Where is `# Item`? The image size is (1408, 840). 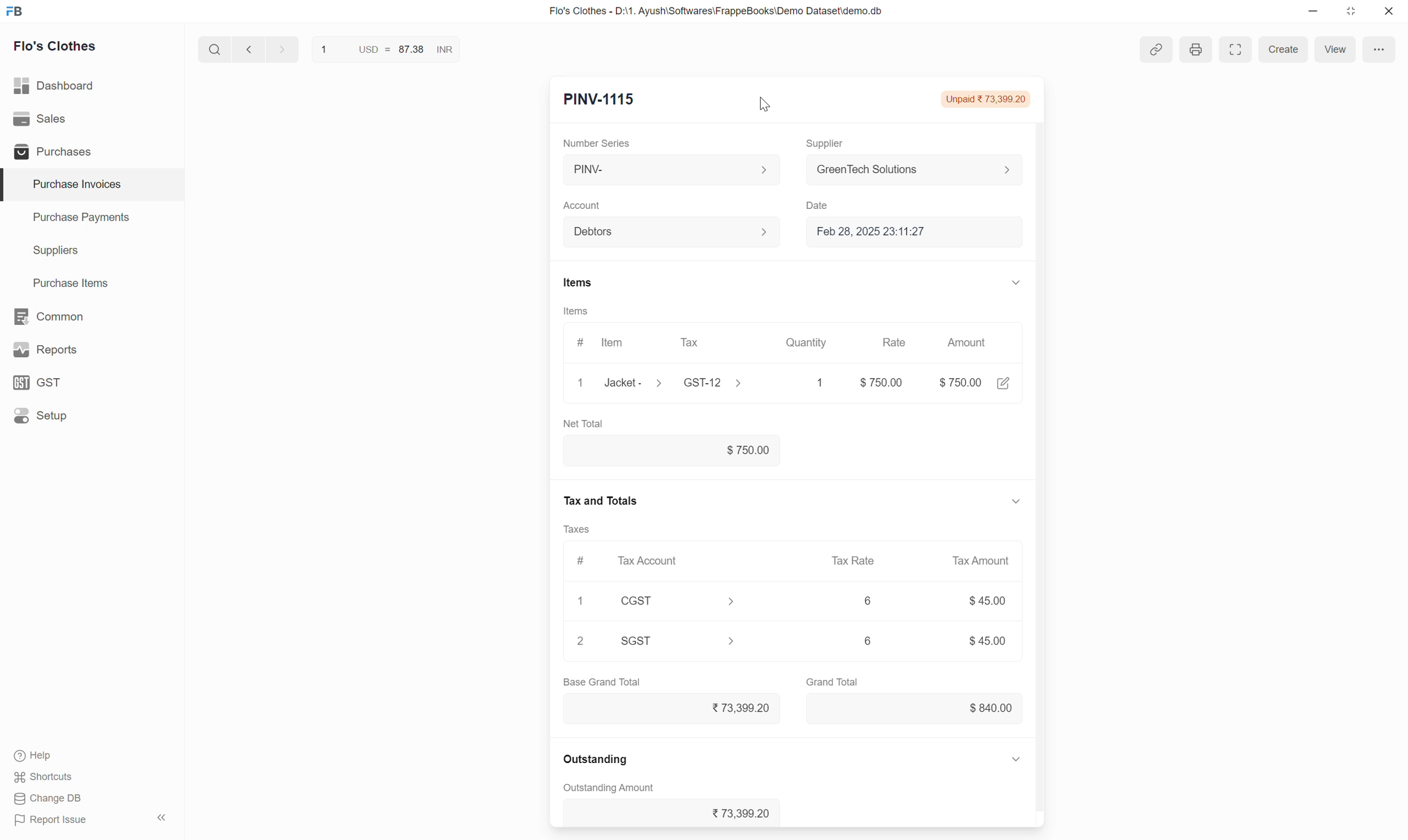
# Item is located at coordinates (604, 344).